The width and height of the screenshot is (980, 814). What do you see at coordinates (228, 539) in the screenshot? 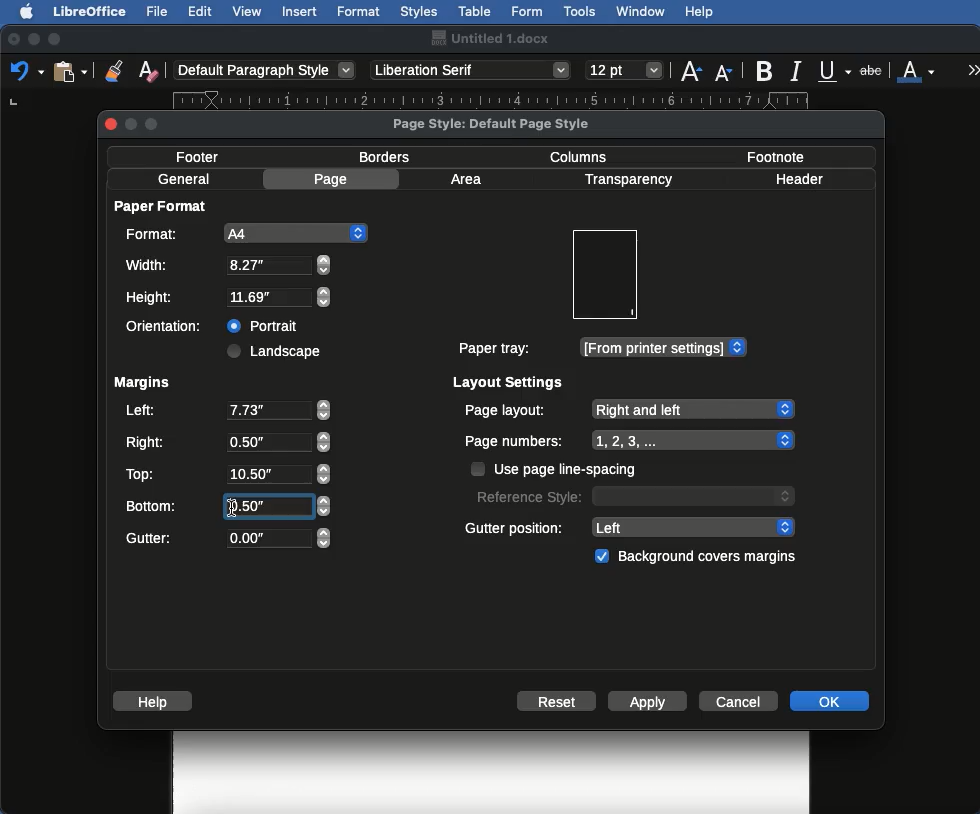
I see `Gutter` at bounding box center [228, 539].